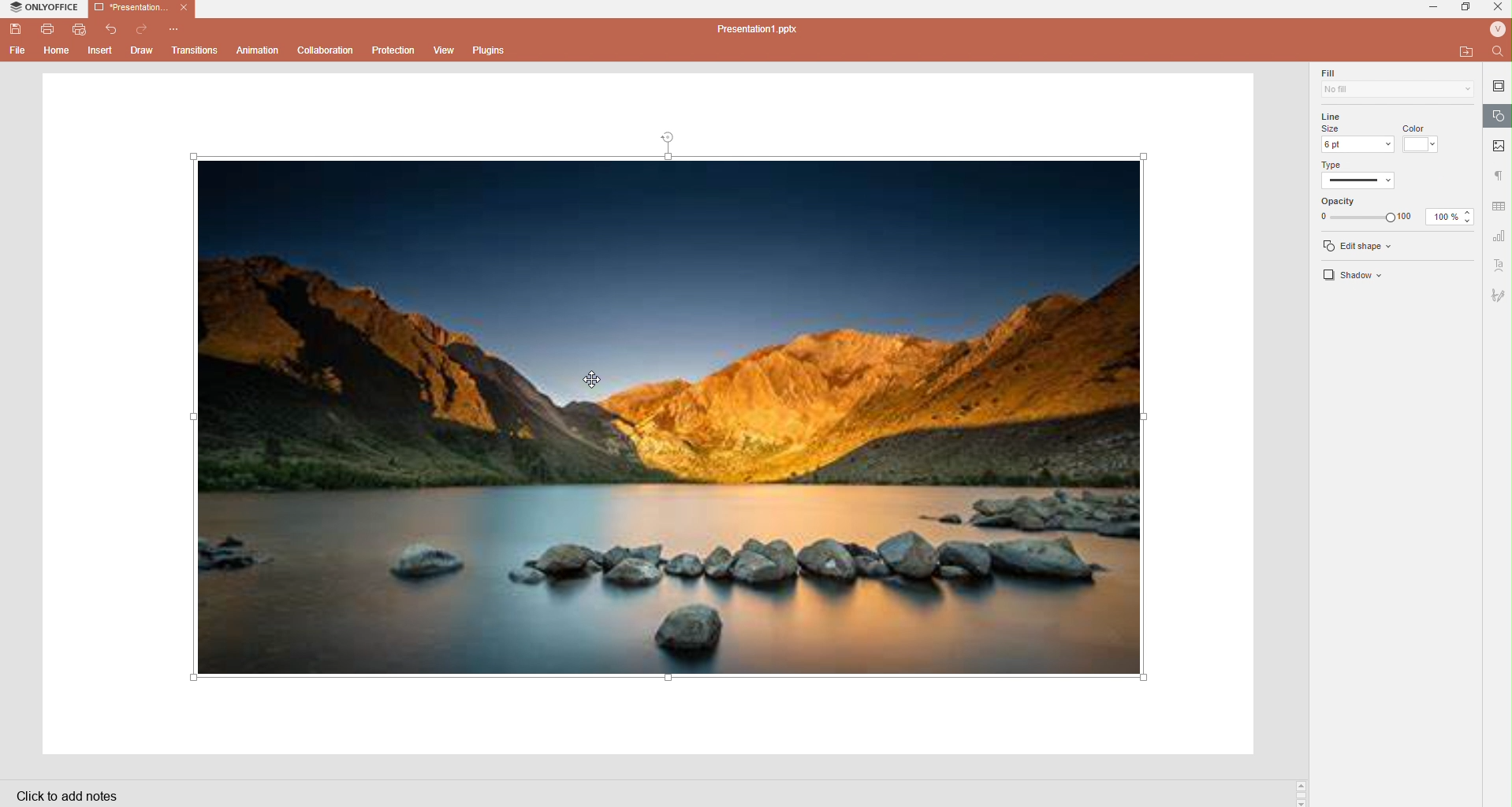 This screenshot has width=1512, height=807. I want to click on Plugins, so click(489, 50).